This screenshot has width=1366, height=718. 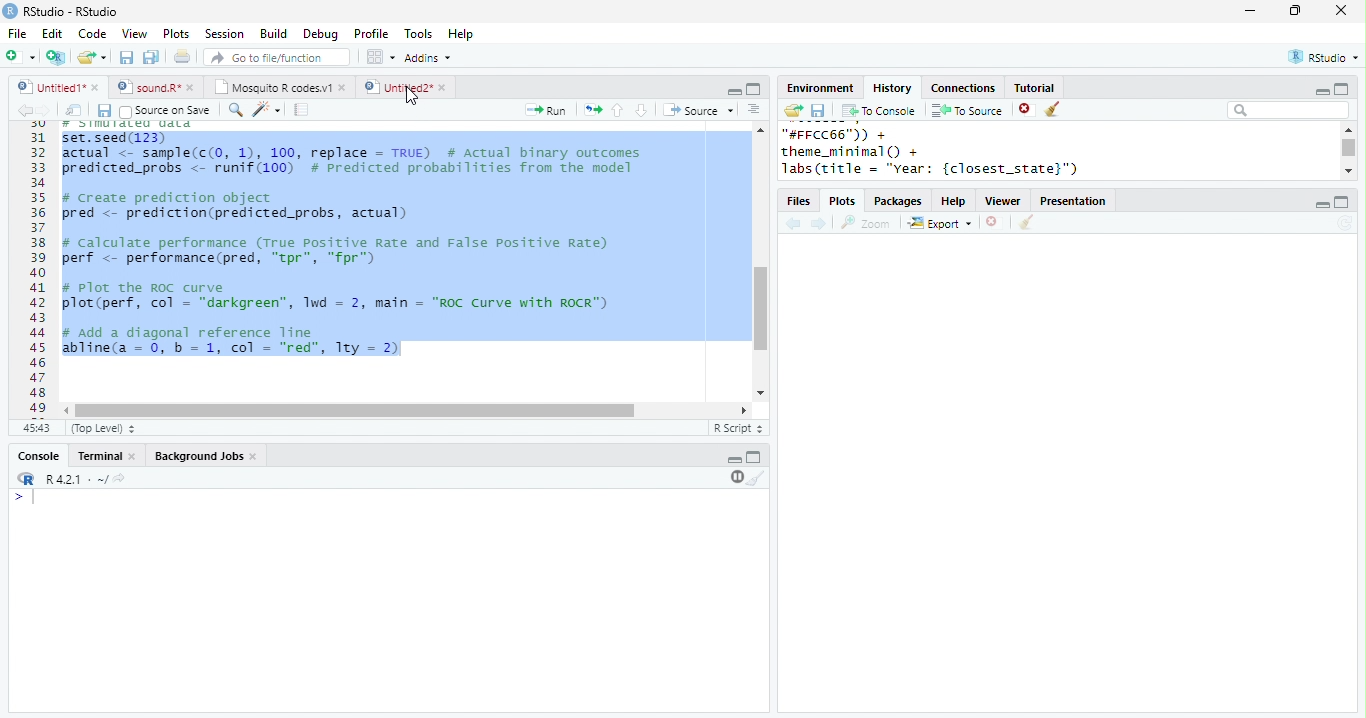 What do you see at coordinates (759, 129) in the screenshot?
I see `scroll up` at bounding box center [759, 129].